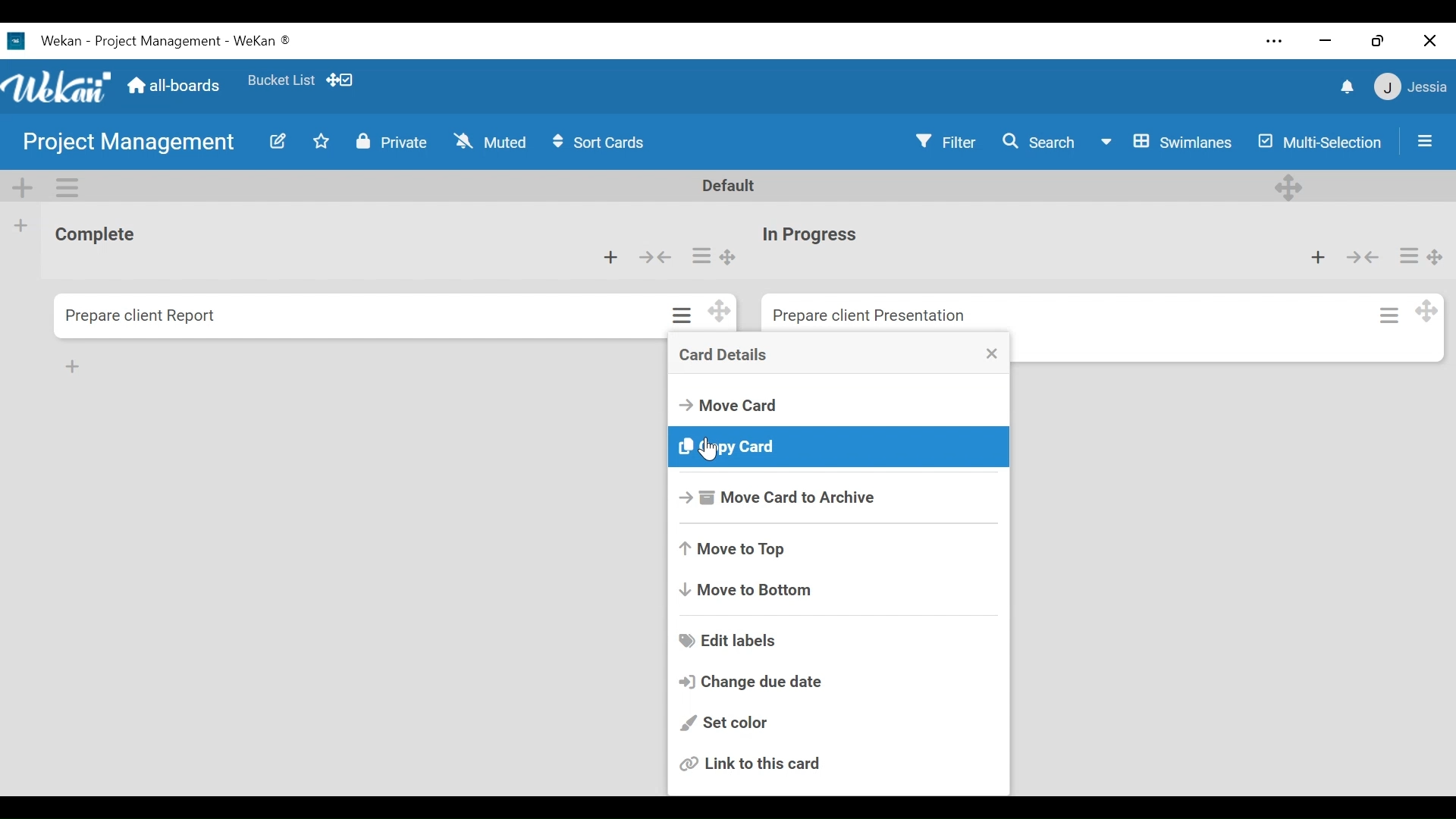 The image size is (1456, 819). What do you see at coordinates (1409, 256) in the screenshot?
I see `Card actions` at bounding box center [1409, 256].